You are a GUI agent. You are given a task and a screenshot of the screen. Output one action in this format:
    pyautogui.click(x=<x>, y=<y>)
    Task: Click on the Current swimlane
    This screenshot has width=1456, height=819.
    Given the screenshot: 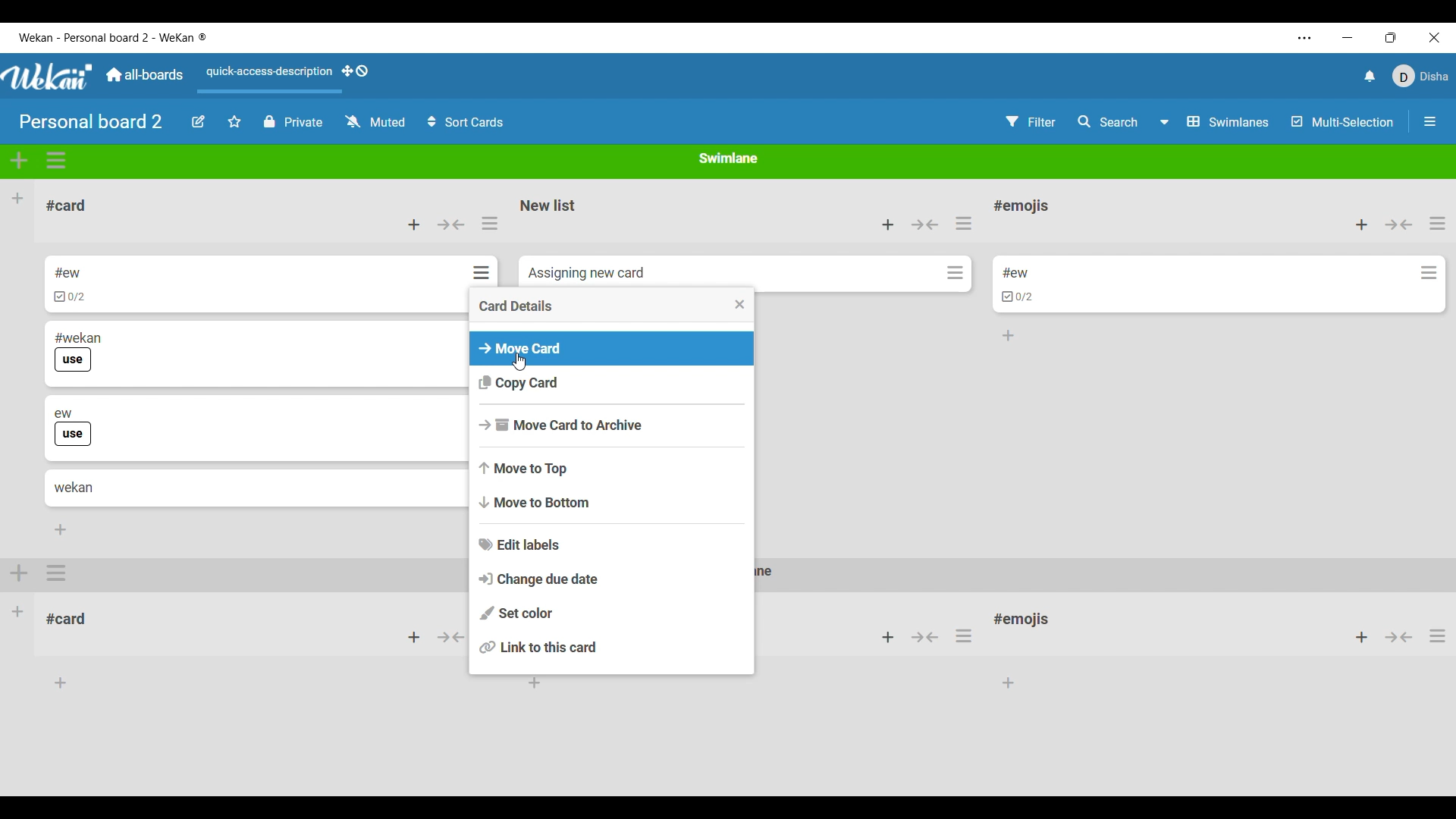 What is the action you would take?
    pyautogui.click(x=729, y=158)
    